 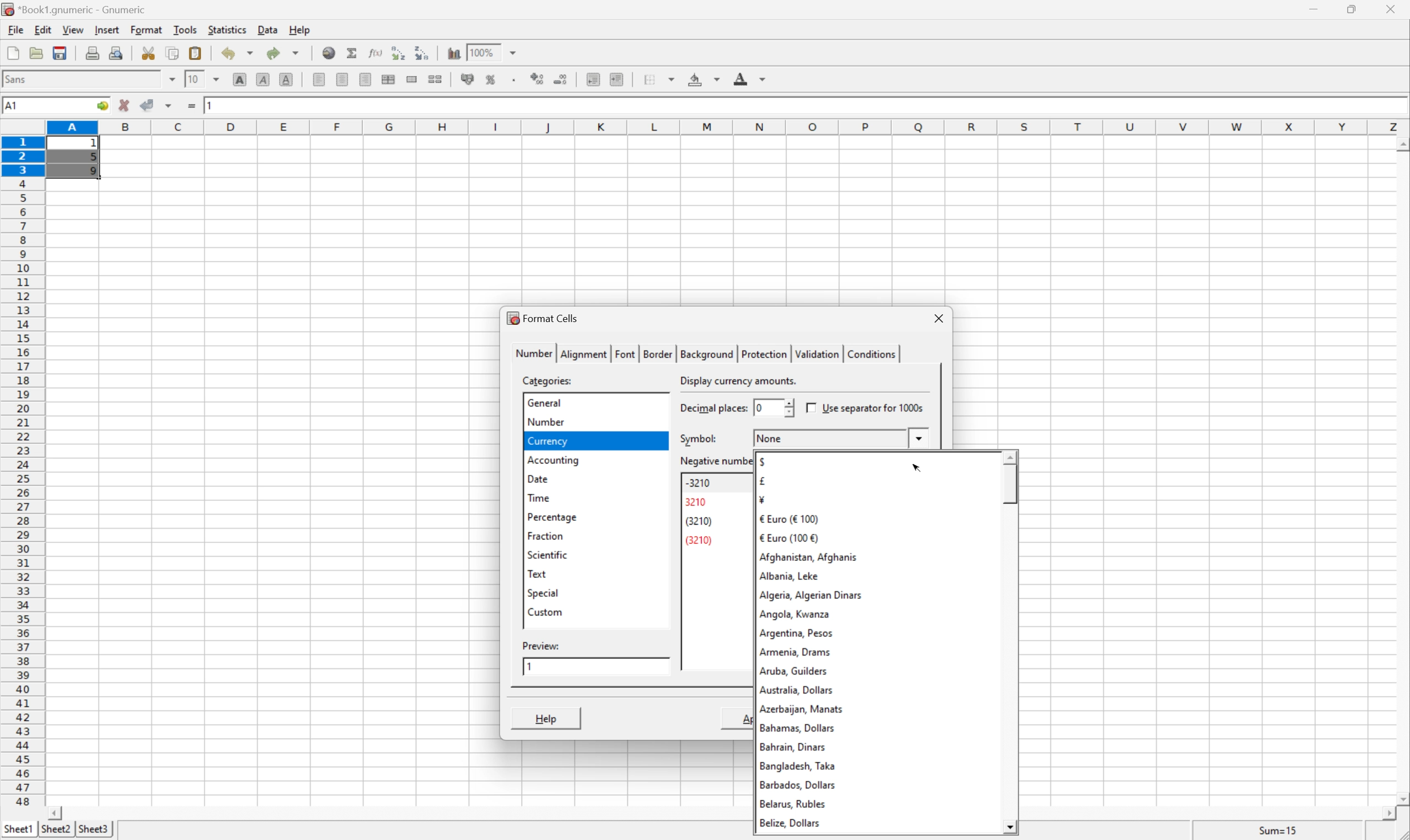 What do you see at coordinates (102, 106) in the screenshot?
I see `go to` at bounding box center [102, 106].